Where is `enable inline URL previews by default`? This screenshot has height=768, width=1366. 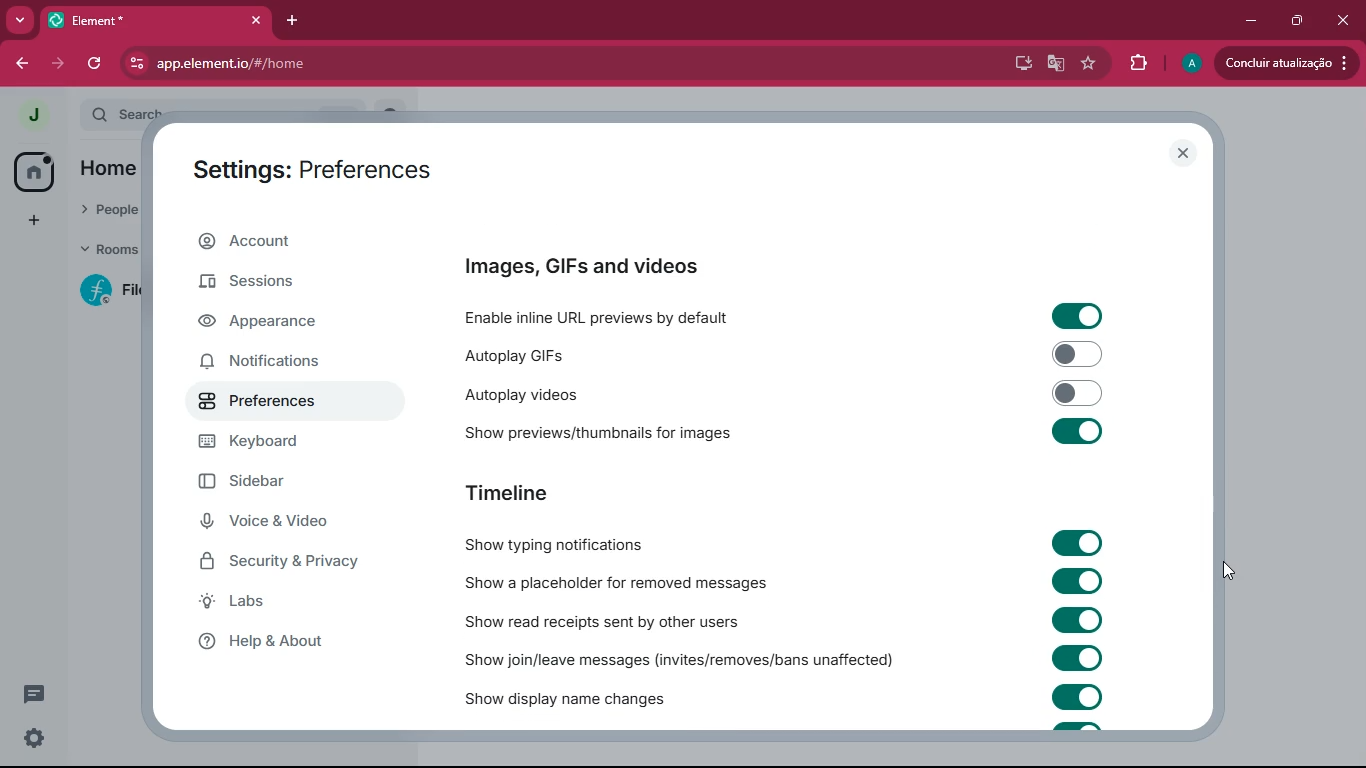 enable inline URL previews by default is located at coordinates (648, 316).